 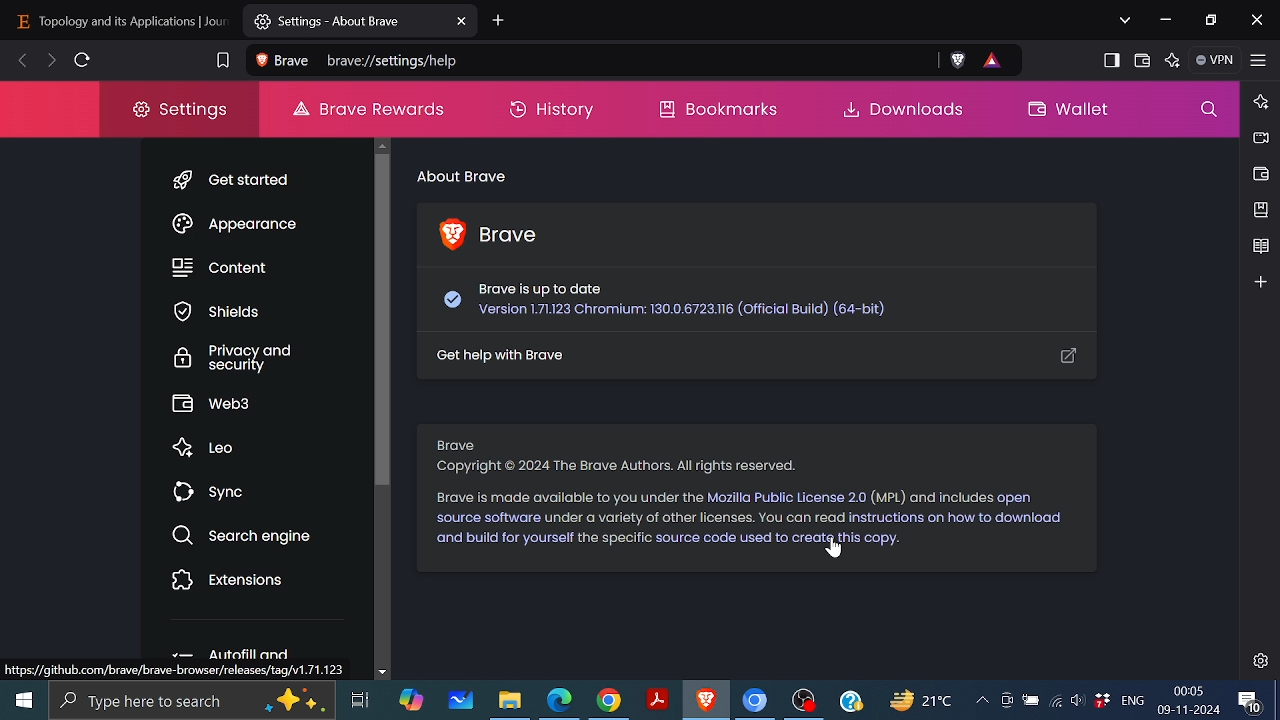 What do you see at coordinates (85, 60) in the screenshot?
I see `Reload` at bounding box center [85, 60].